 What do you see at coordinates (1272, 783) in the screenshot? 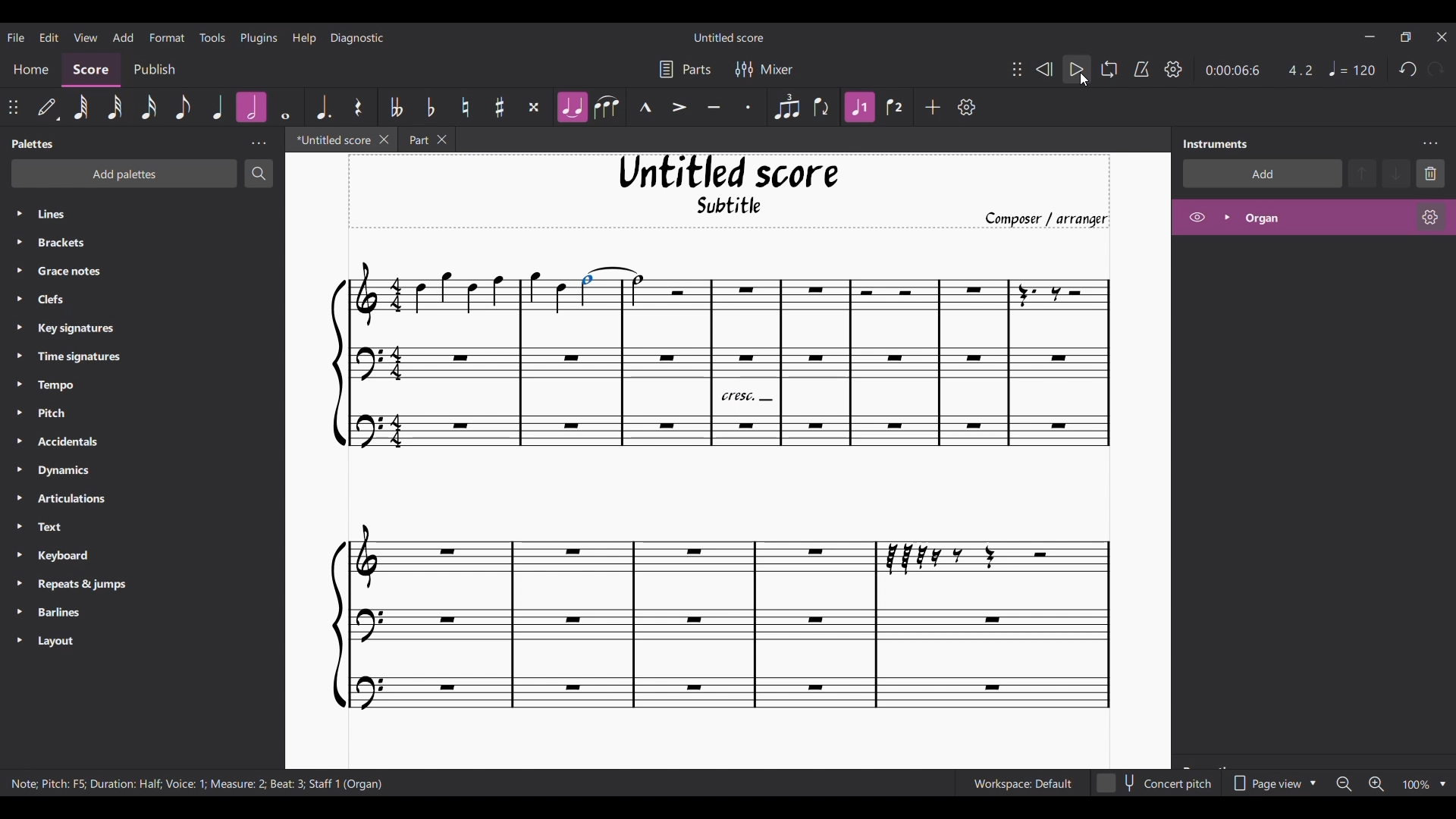
I see `Page view options` at bounding box center [1272, 783].